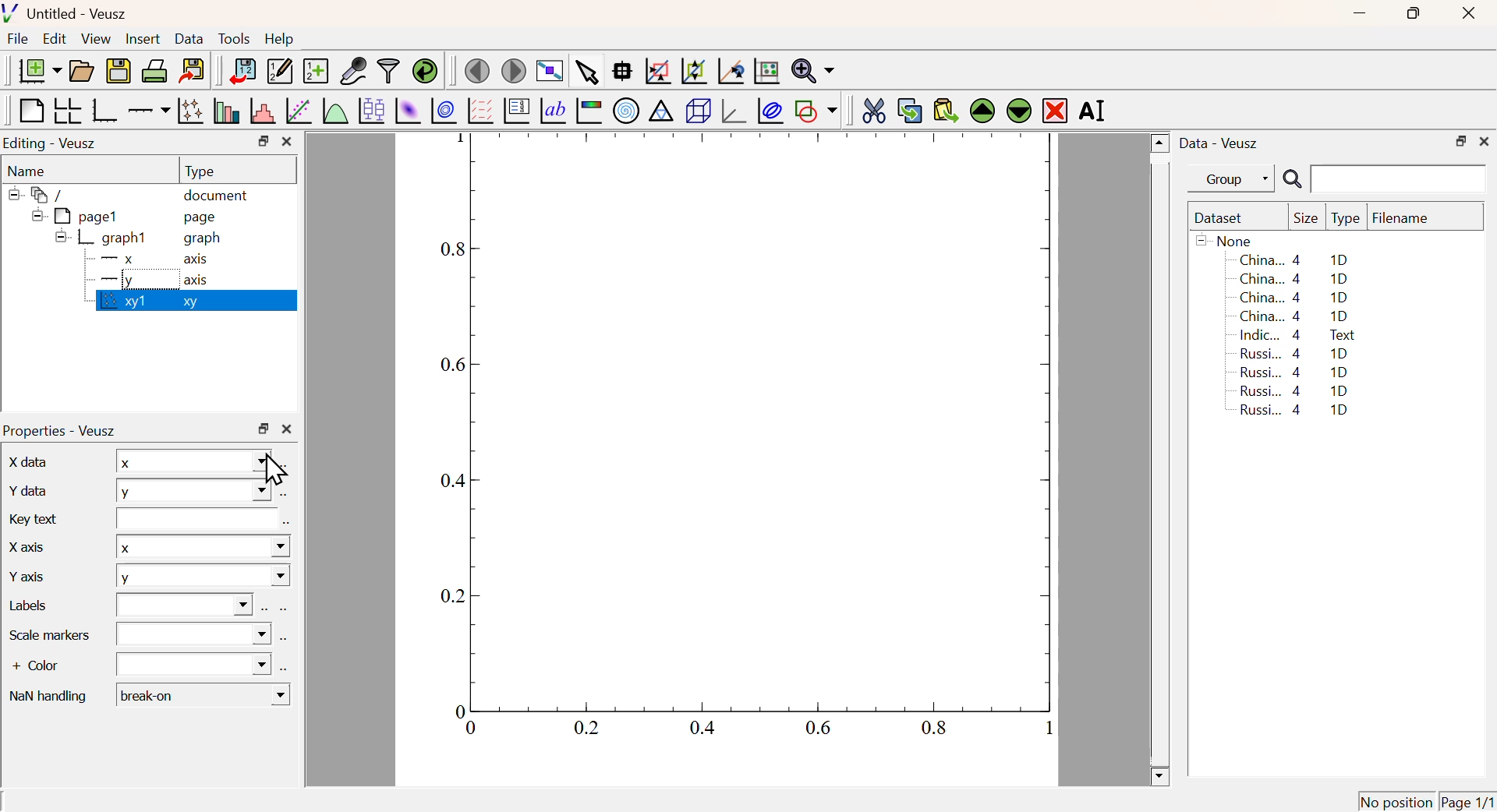 Image resolution: width=1497 pixels, height=812 pixels. I want to click on X axis, so click(23, 545).